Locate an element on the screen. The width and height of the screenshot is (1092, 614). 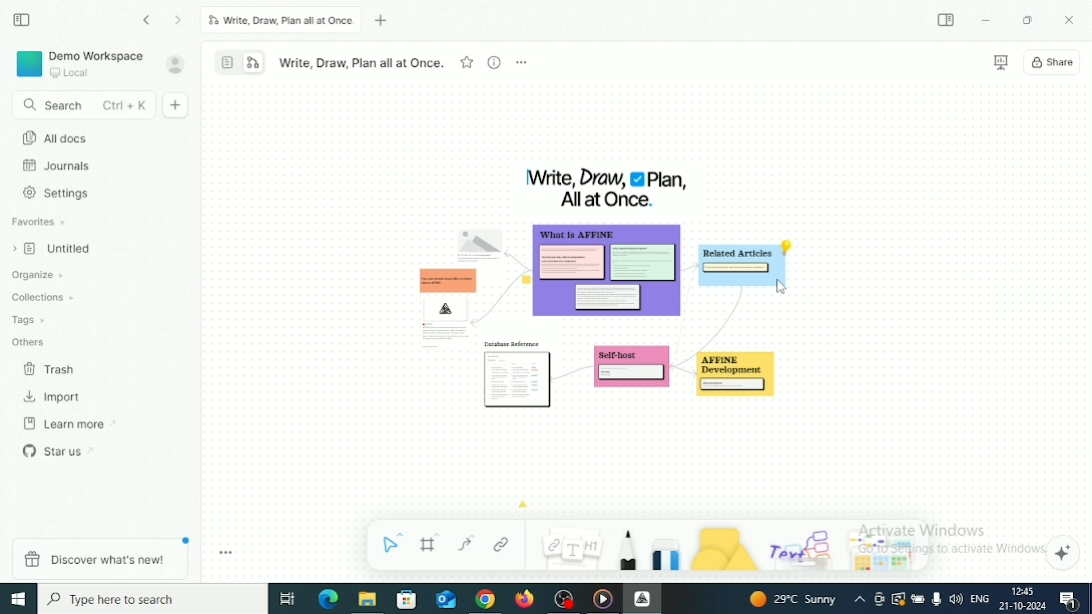
Minimize is located at coordinates (987, 21).